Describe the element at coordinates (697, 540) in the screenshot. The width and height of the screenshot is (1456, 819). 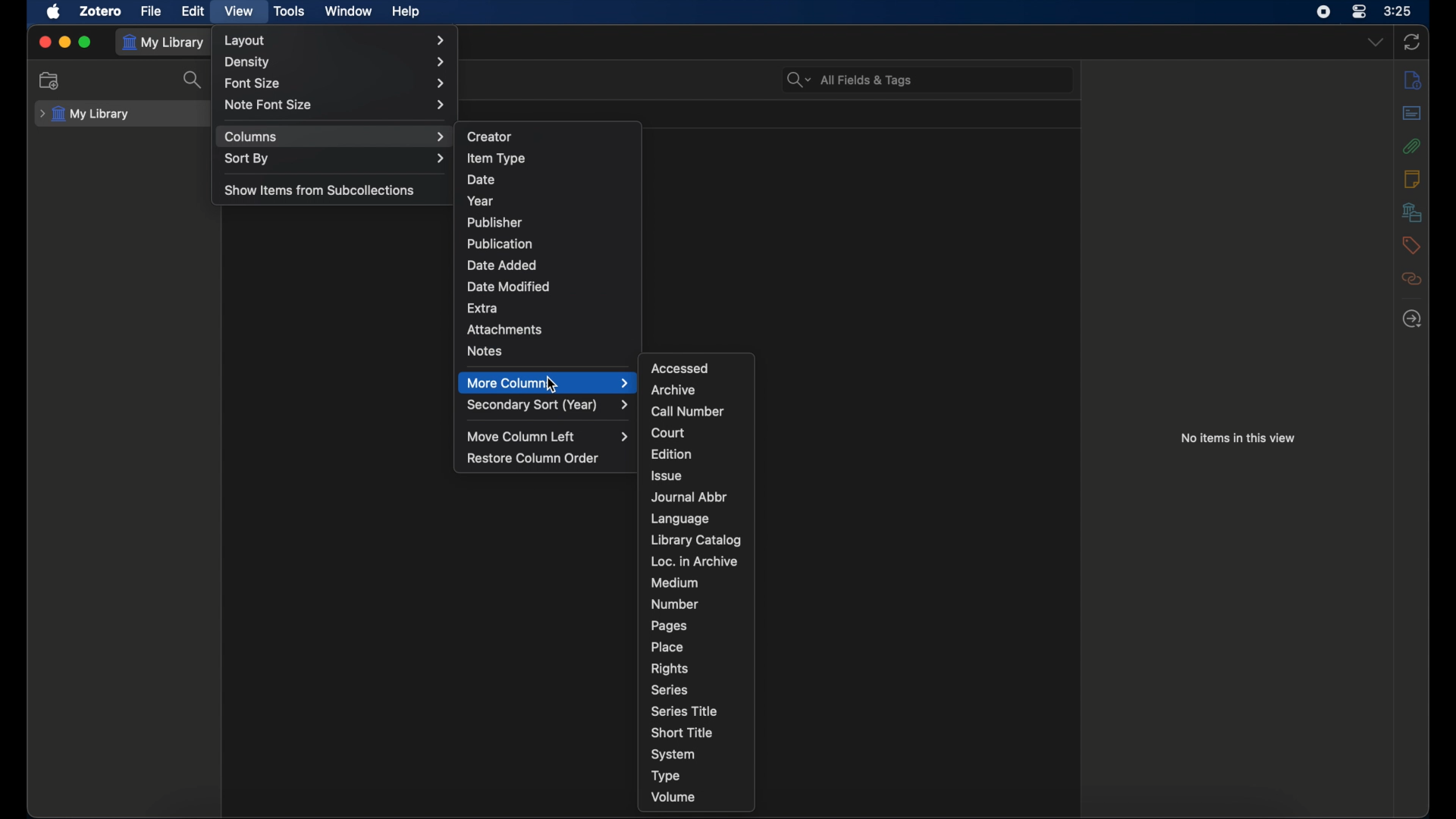
I see `library catalog` at that location.